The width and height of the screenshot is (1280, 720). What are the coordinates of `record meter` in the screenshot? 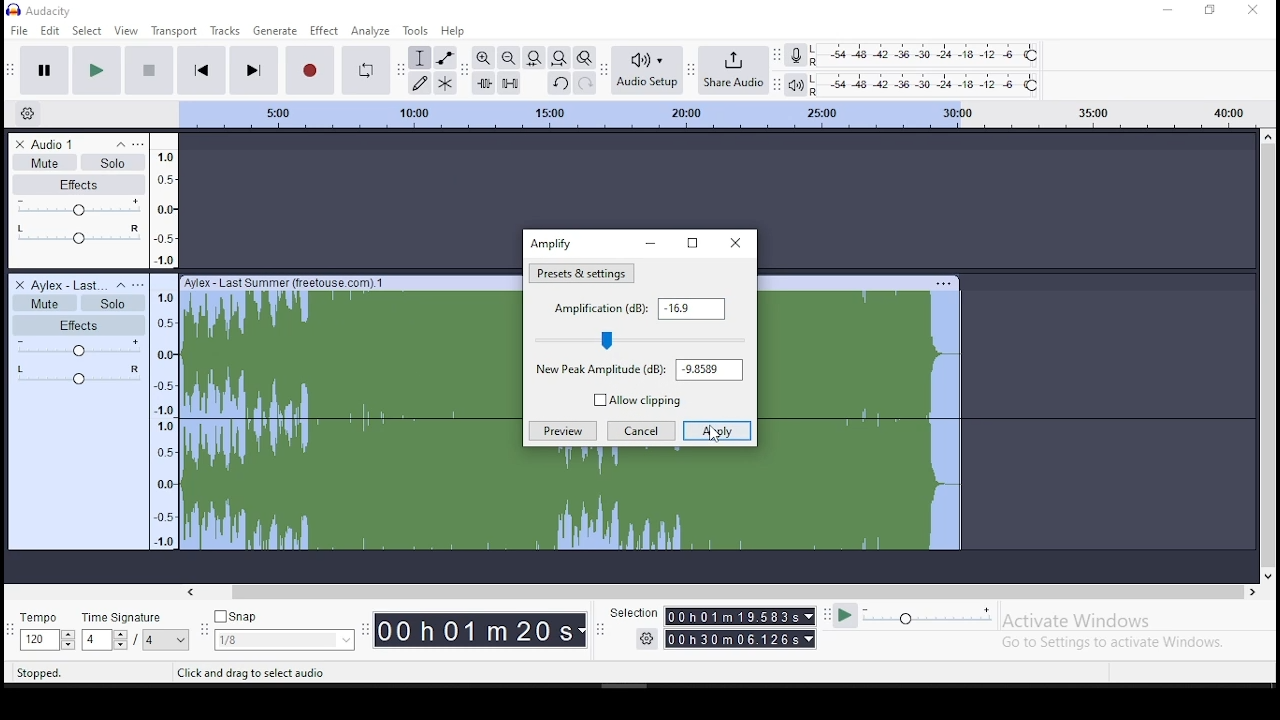 It's located at (795, 56).